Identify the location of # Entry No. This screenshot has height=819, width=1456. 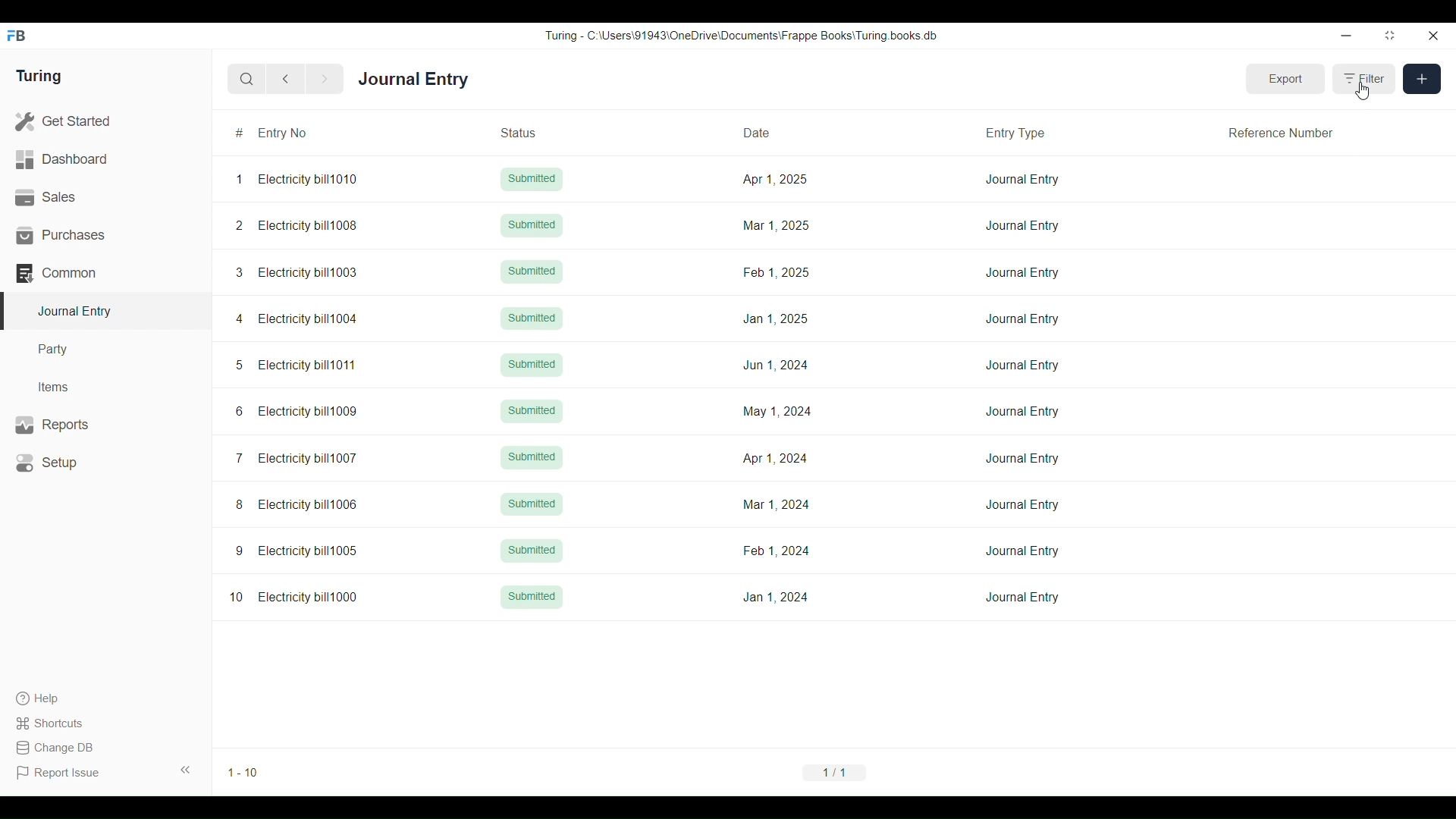
(303, 133).